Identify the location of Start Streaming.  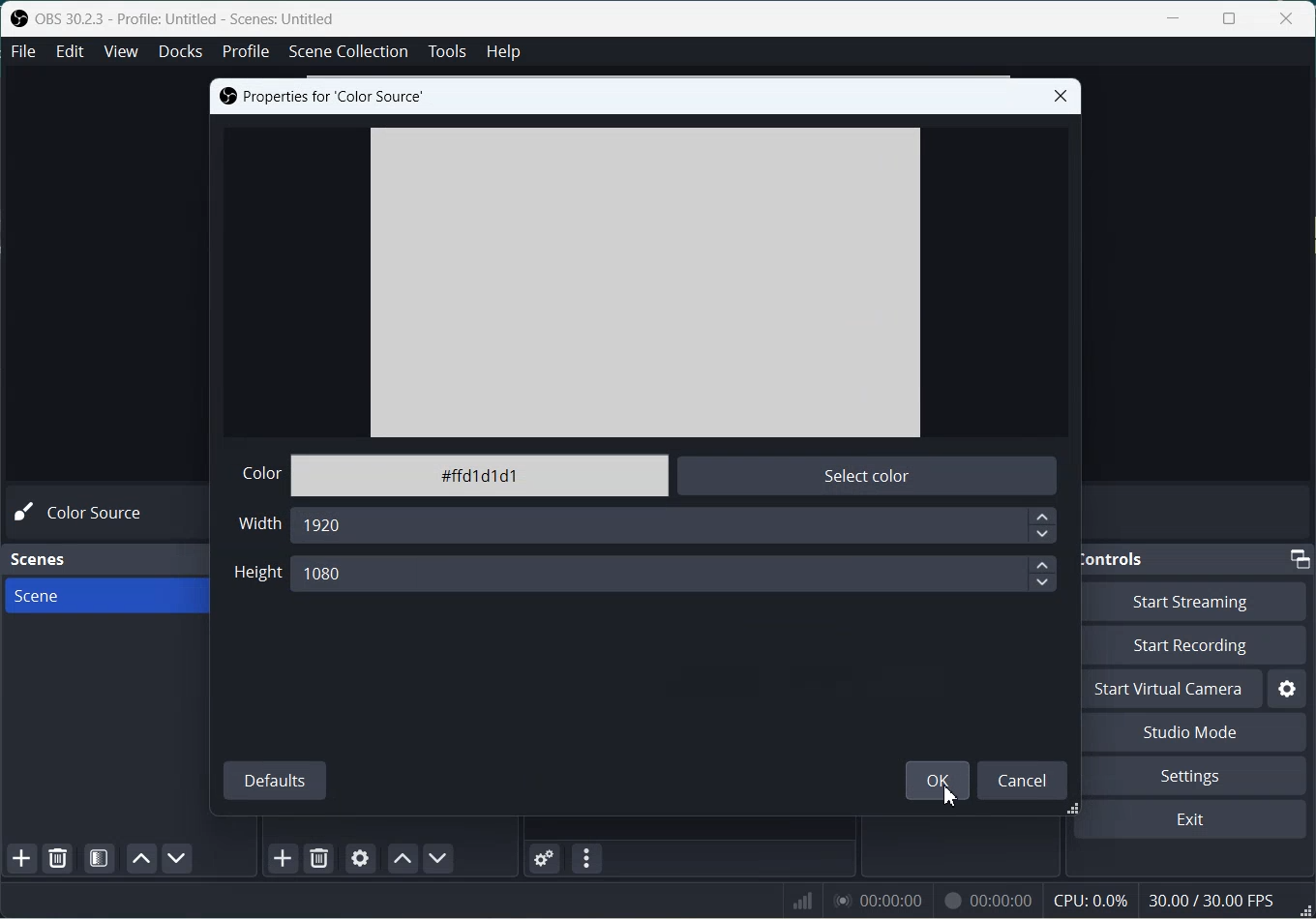
(1200, 601).